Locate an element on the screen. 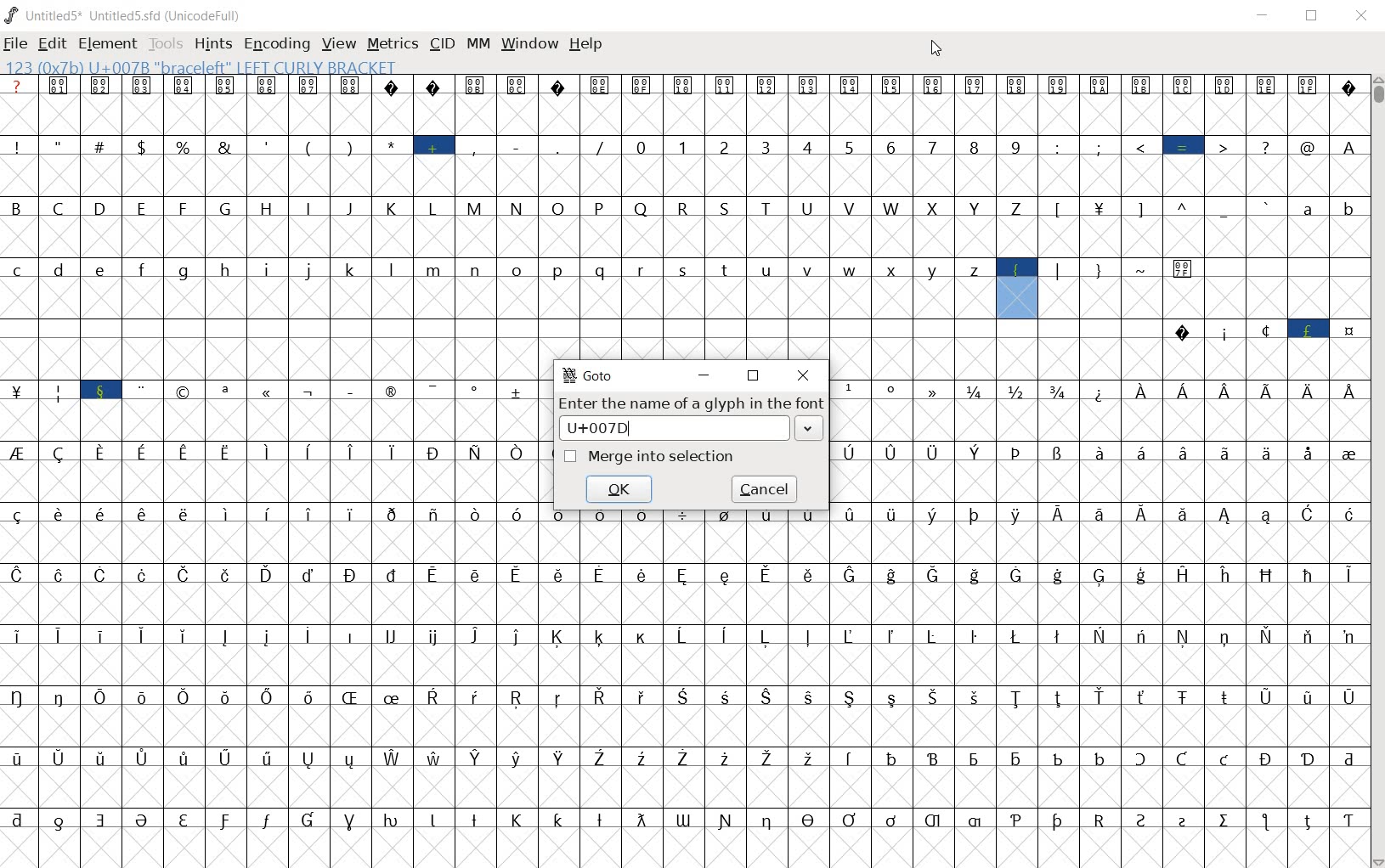 The width and height of the screenshot is (1385, 868). ok is located at coordinates (621, 490).